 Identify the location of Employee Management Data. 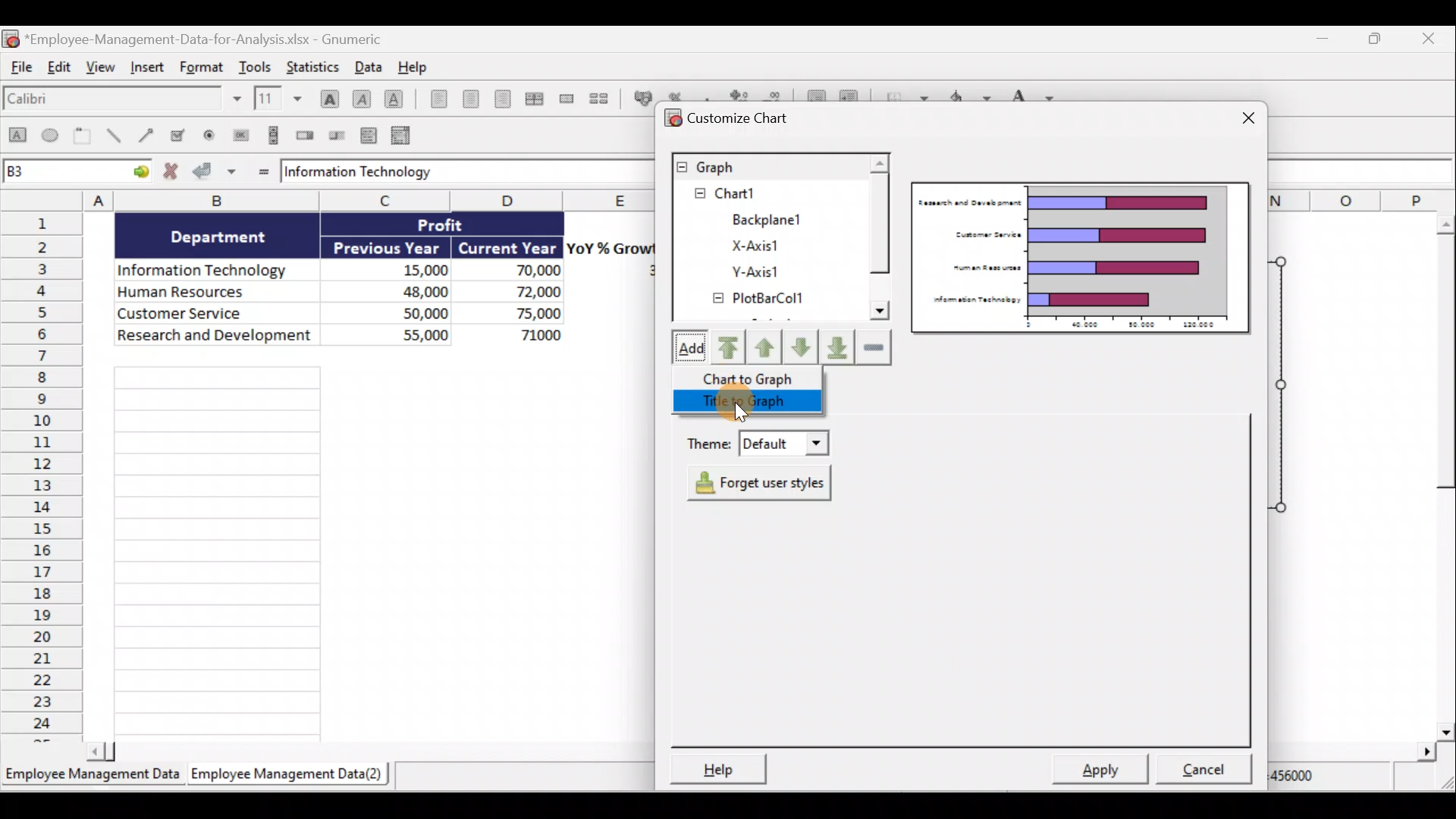
(92, 773).